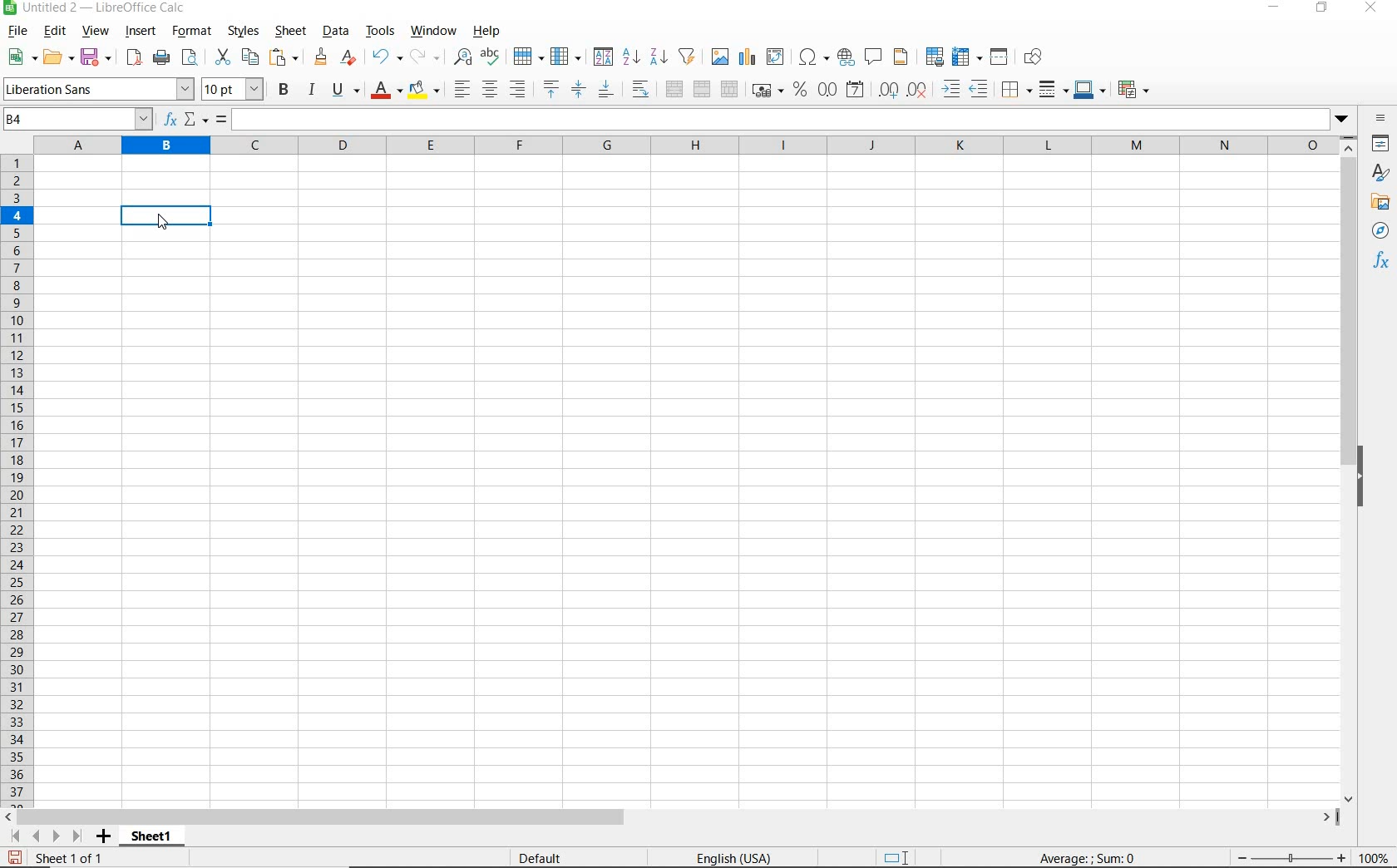  What do you see at coordinates (312, 91) in the screenshot?
I see `italic` at bounding box center [312, 91].